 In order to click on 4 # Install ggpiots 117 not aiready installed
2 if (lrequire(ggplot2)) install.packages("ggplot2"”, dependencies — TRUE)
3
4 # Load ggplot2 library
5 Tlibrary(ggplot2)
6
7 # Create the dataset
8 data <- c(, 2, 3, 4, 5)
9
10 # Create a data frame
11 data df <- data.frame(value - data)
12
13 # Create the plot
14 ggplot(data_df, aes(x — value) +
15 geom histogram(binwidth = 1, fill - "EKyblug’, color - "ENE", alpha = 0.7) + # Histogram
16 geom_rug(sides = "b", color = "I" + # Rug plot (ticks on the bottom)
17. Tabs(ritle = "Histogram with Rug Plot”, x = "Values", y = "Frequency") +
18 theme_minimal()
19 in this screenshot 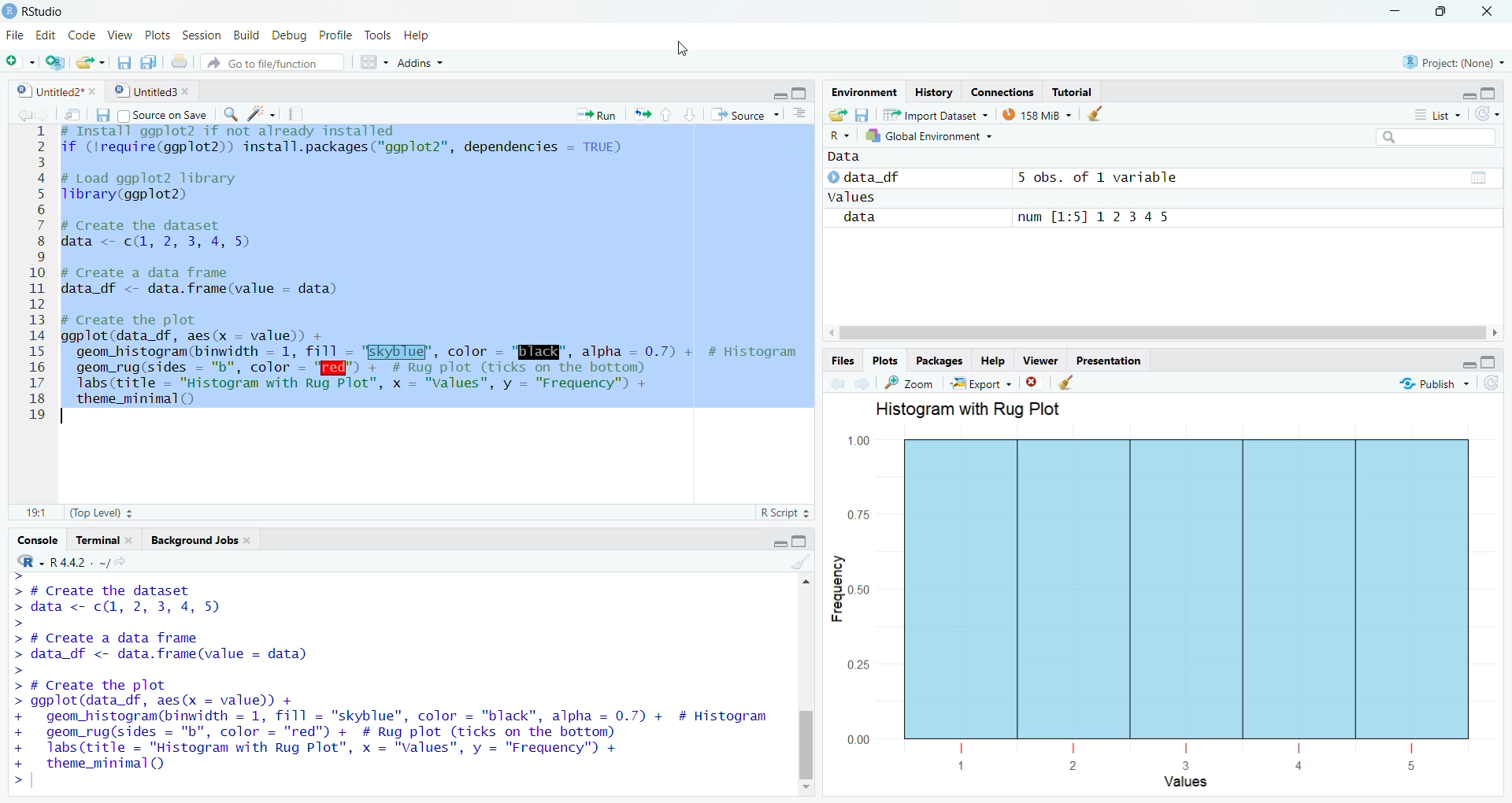, I will do `click(401, 277)`.